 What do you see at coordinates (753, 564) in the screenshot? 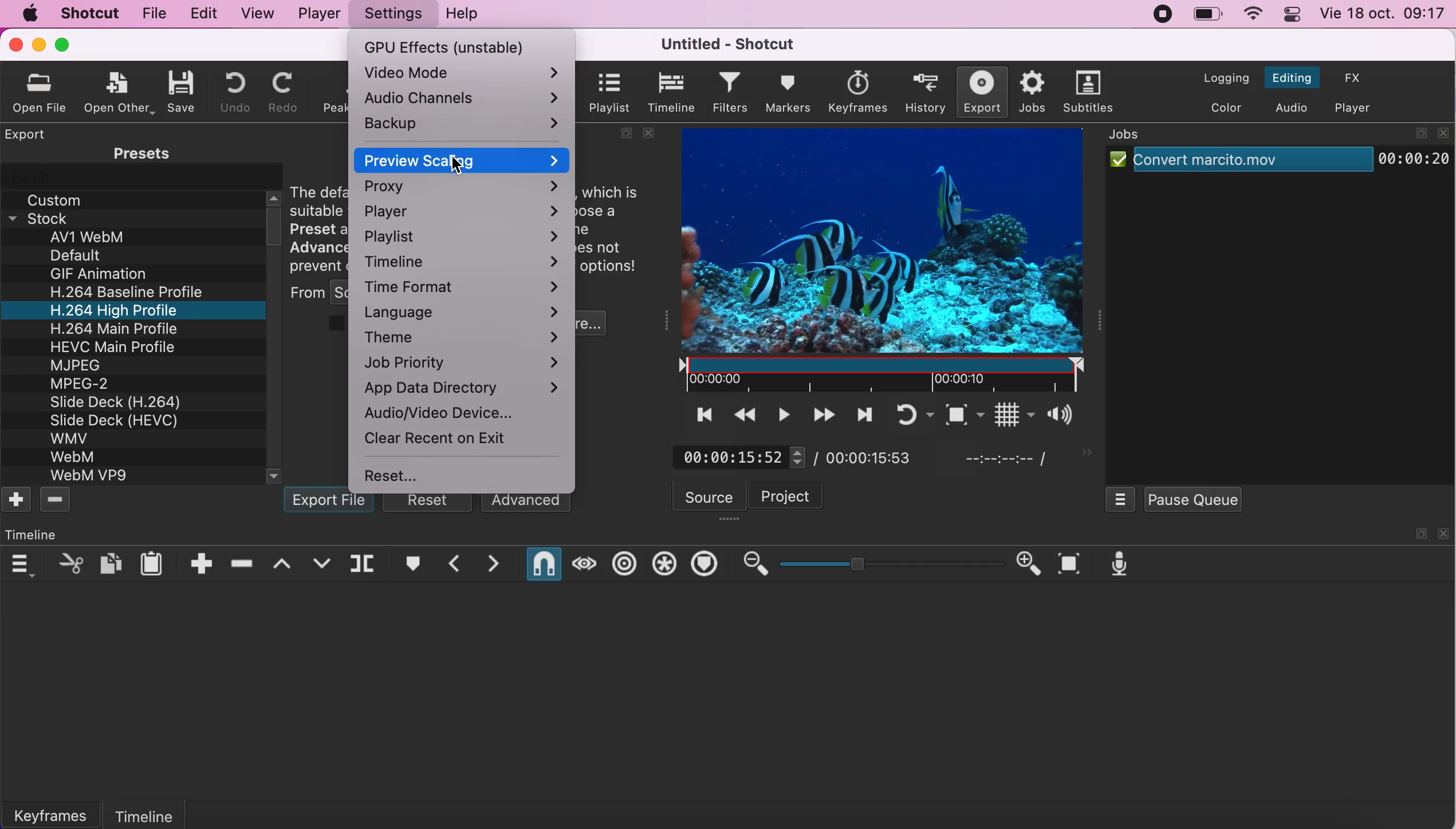
I see `zoom out` at bounding box center [753, 564].